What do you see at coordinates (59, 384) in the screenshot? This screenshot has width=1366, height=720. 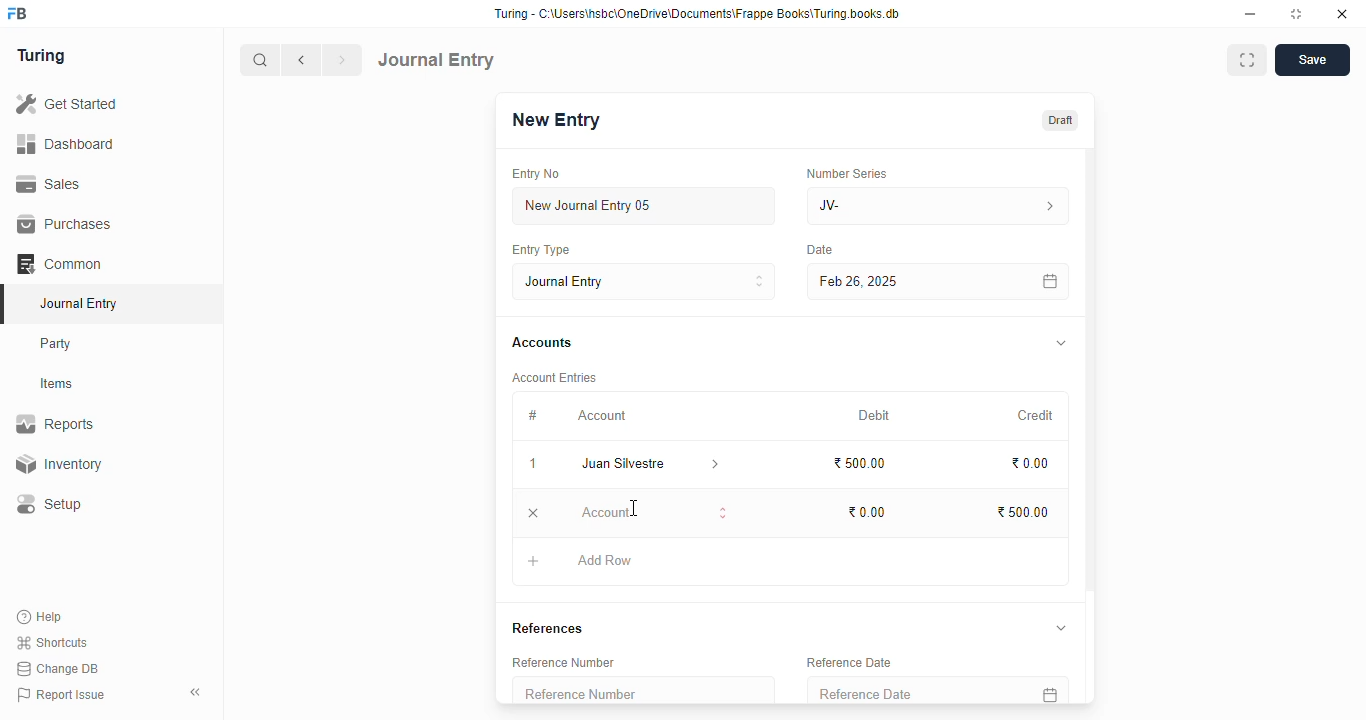 I see `items` at bounding box center [59, 384].